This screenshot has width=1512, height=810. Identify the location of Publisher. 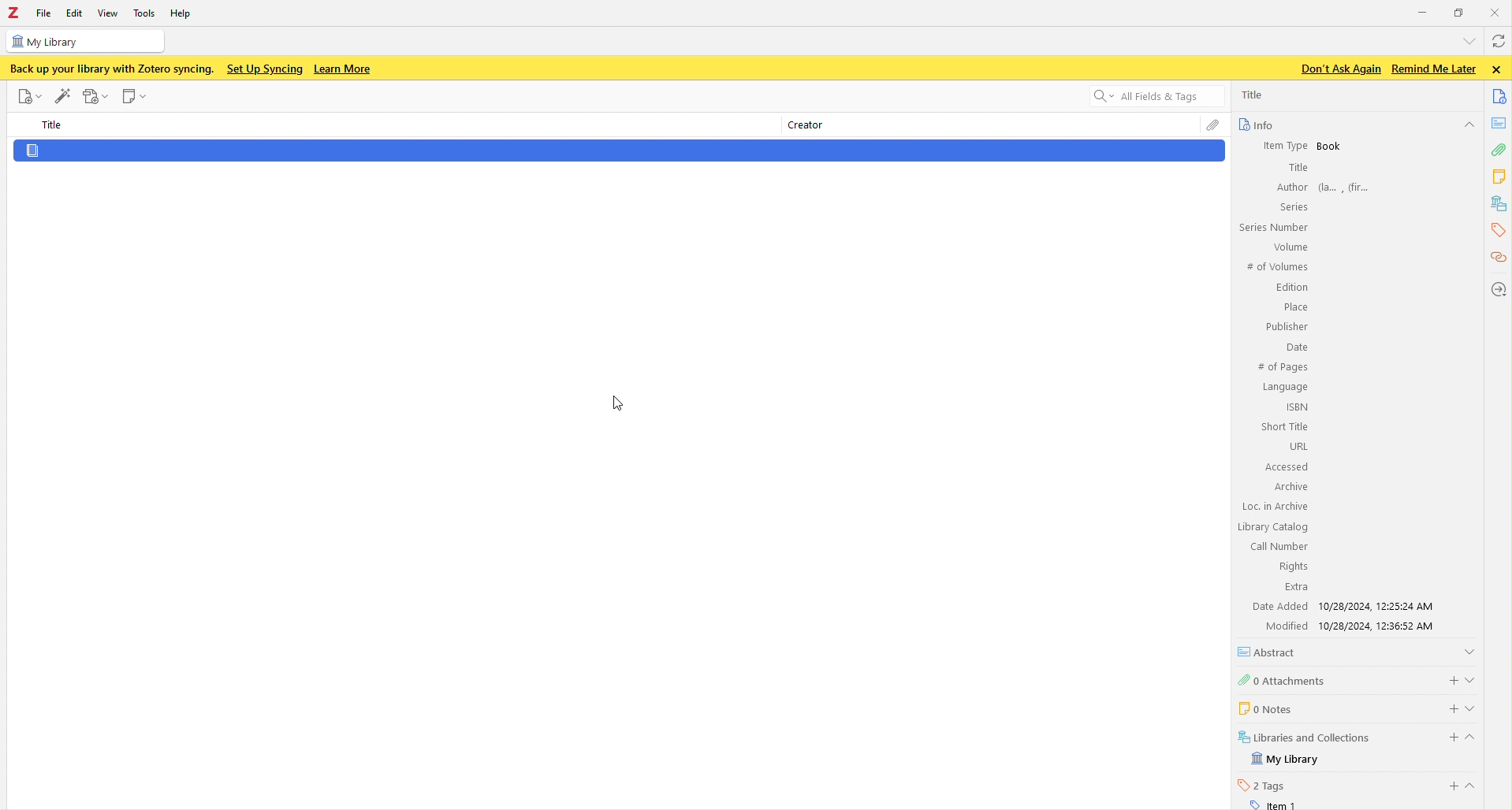
(1285, 326).